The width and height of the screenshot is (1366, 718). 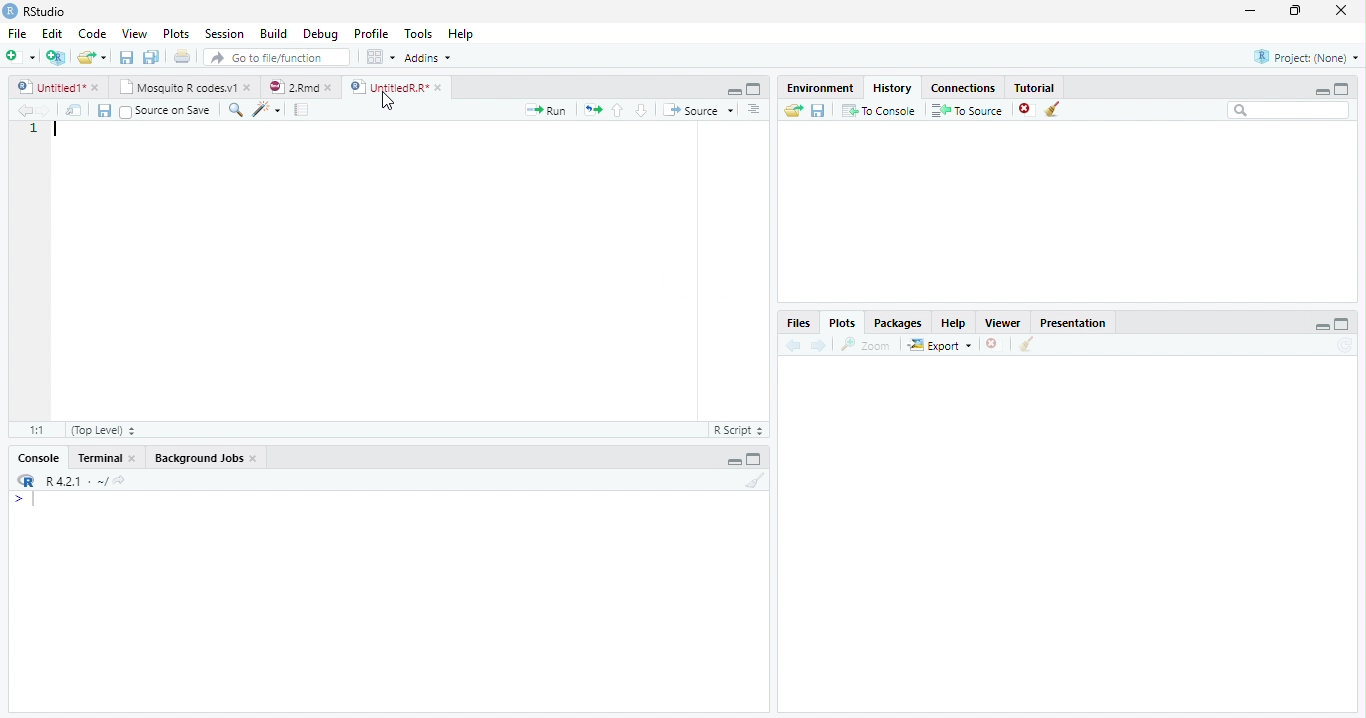 I want to click on Viewer, so click(x=1004, y=323).